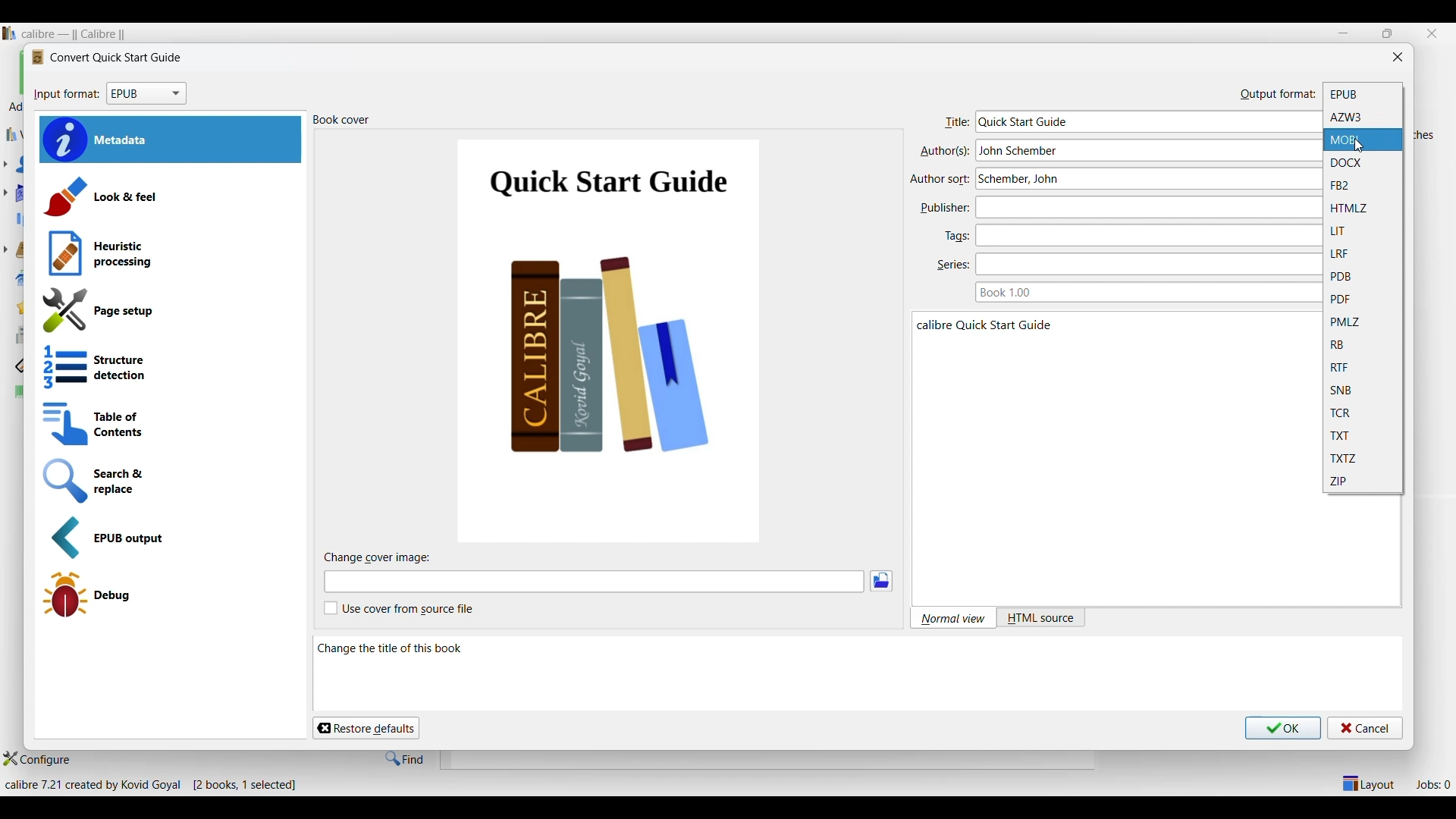  I want to click on Details about software, so click(156, 786).